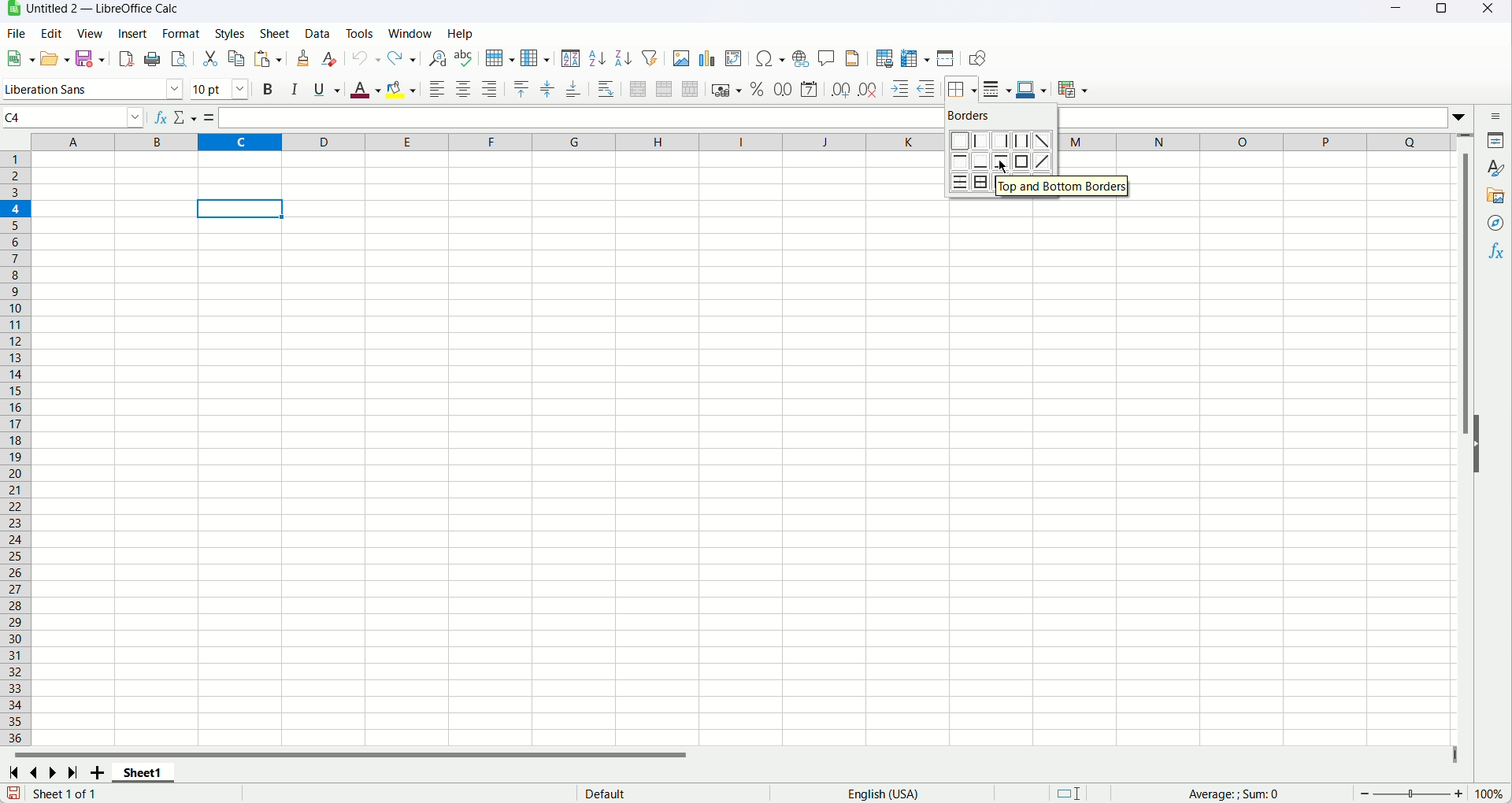 The image size is (1512, 803). What do you see at coordinates (638, 89) in the screenshot?
I see `Merge and center` at bounding box center [638, 89].